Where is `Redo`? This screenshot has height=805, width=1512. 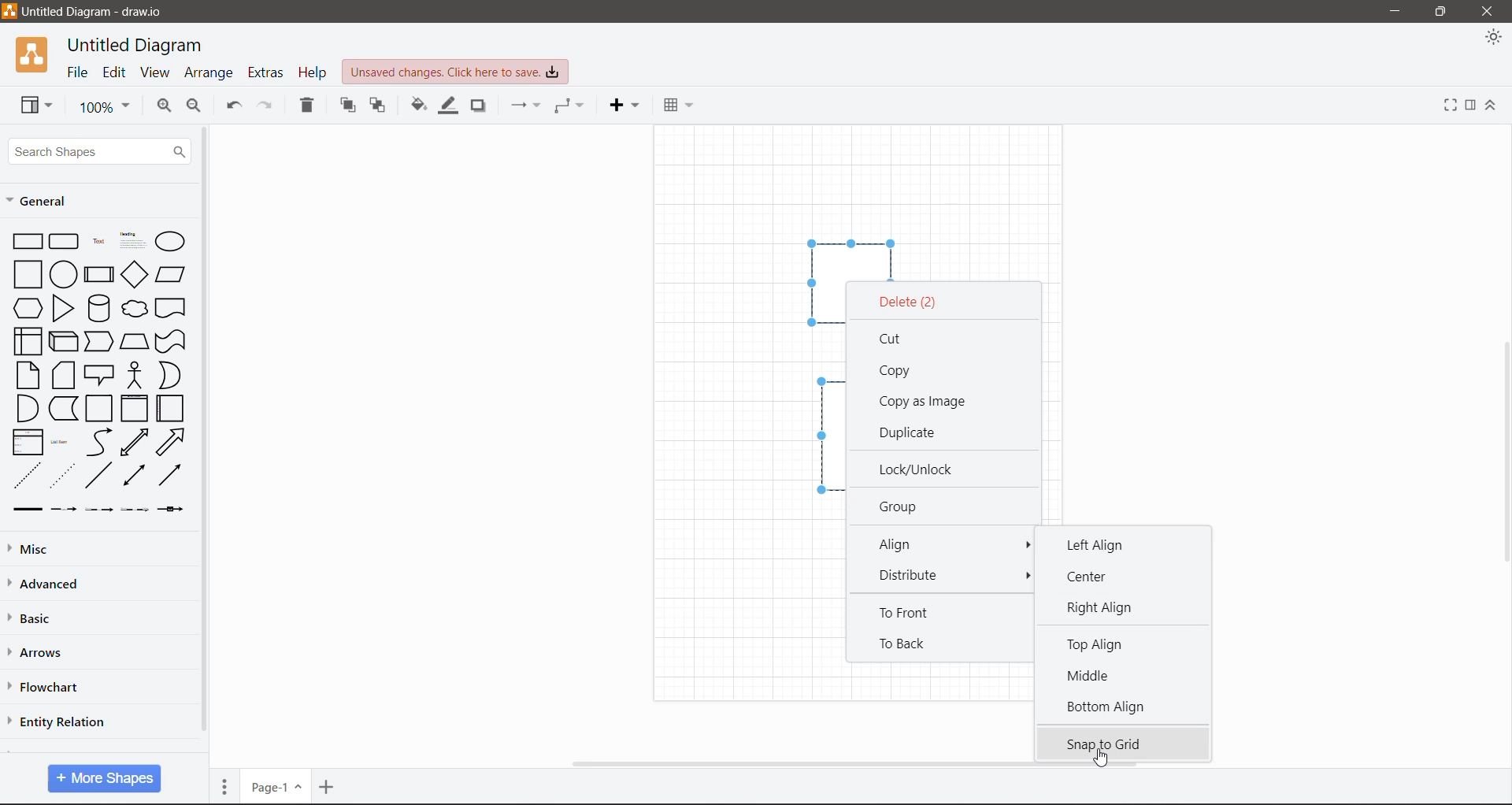 Redo is located at coordinates (269, 106).